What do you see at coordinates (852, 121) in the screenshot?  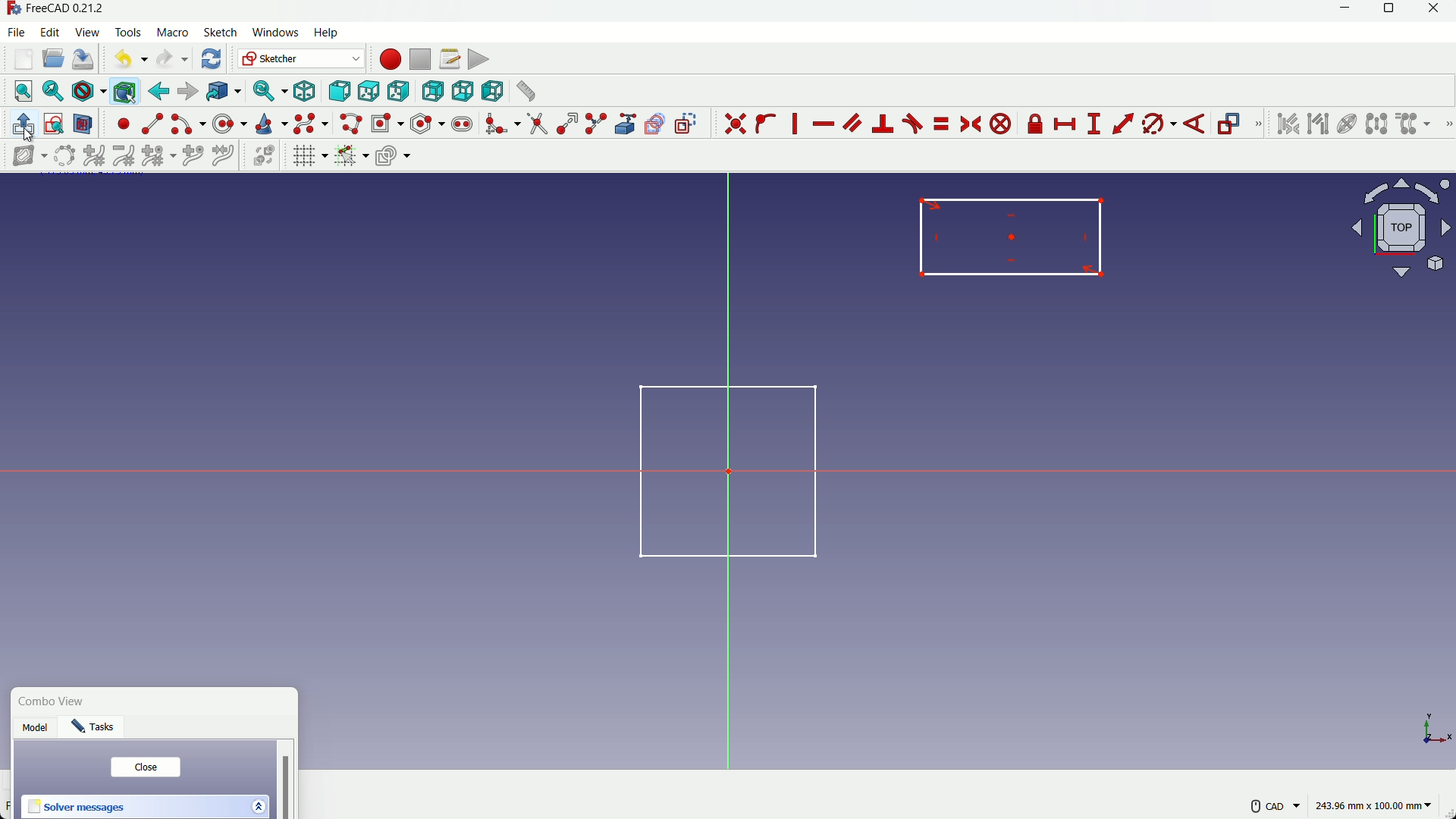 I see `constraint parallel` at bounding box center [852, 121].